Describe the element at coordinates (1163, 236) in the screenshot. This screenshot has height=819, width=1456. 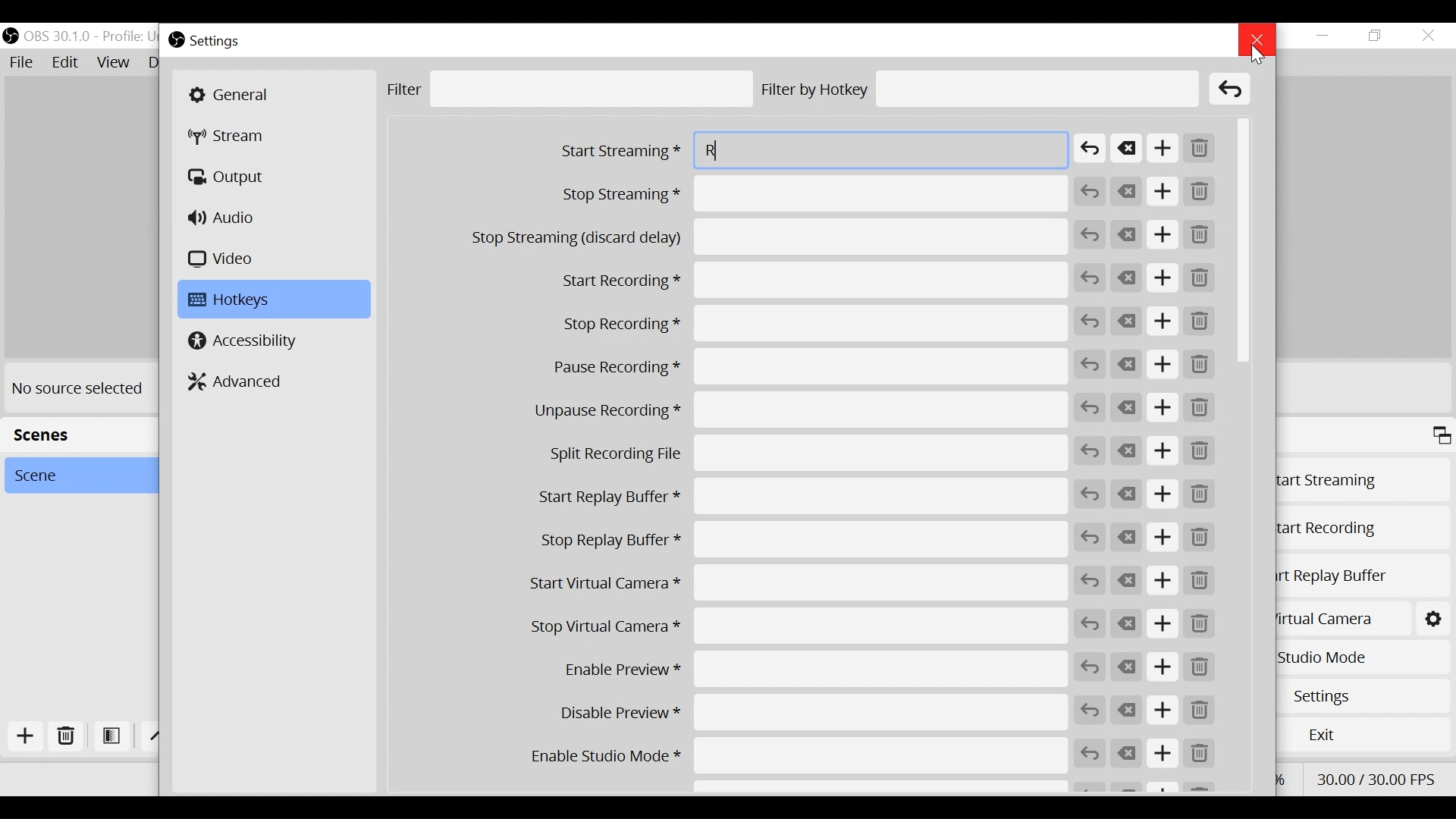
I see `Add` at that location.